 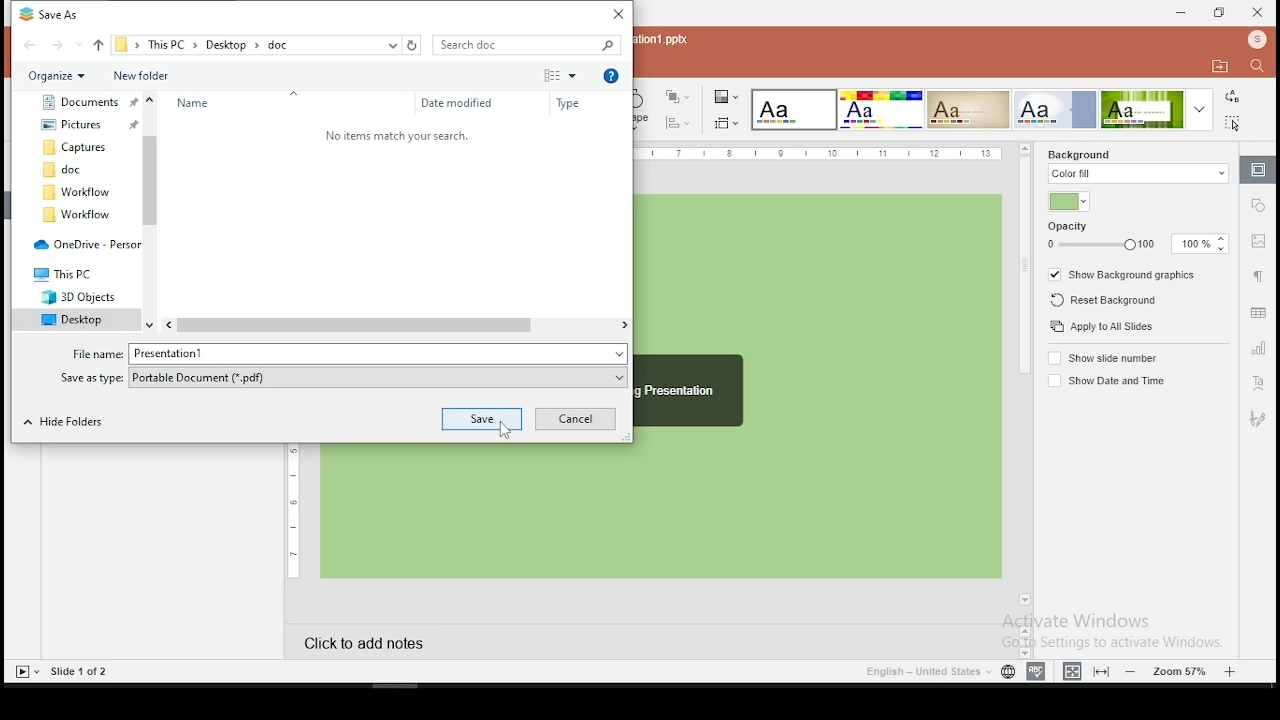 I want to click on Horizontal scrollbar, so click(x=396, y=325).